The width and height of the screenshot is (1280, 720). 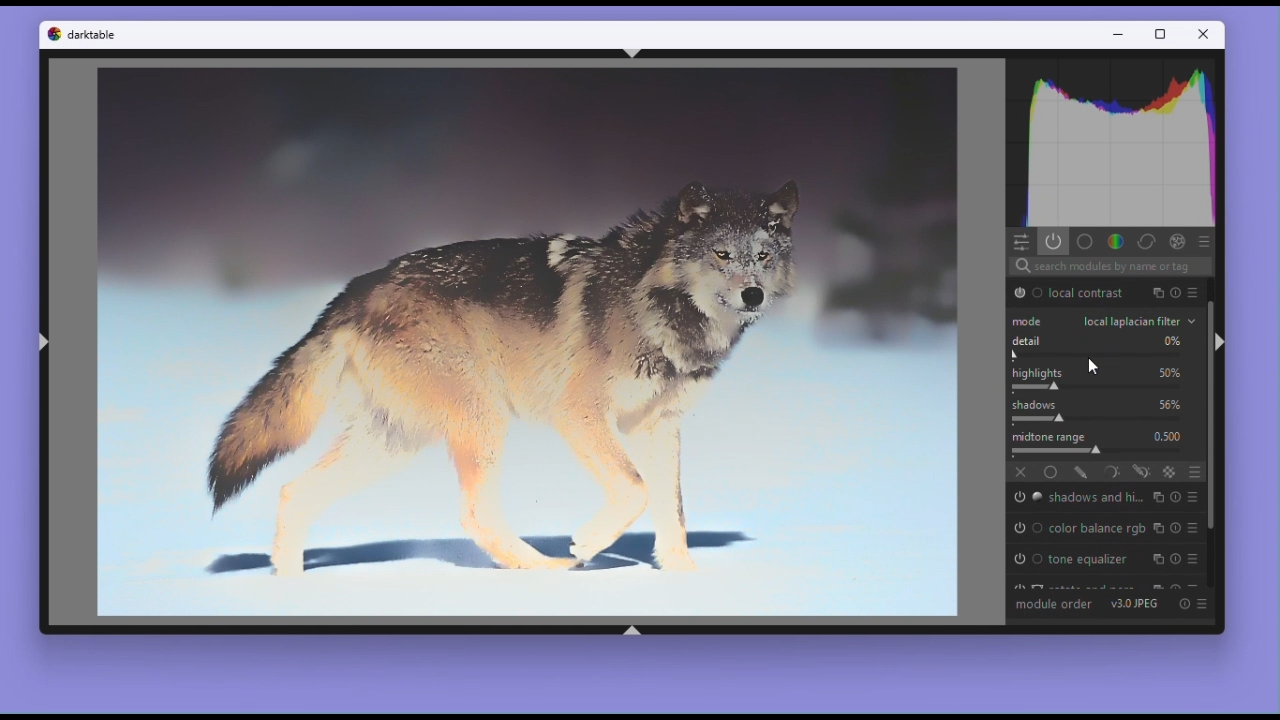 I want to click on V 3.0 JPEG, so click(x=1136, y=604).